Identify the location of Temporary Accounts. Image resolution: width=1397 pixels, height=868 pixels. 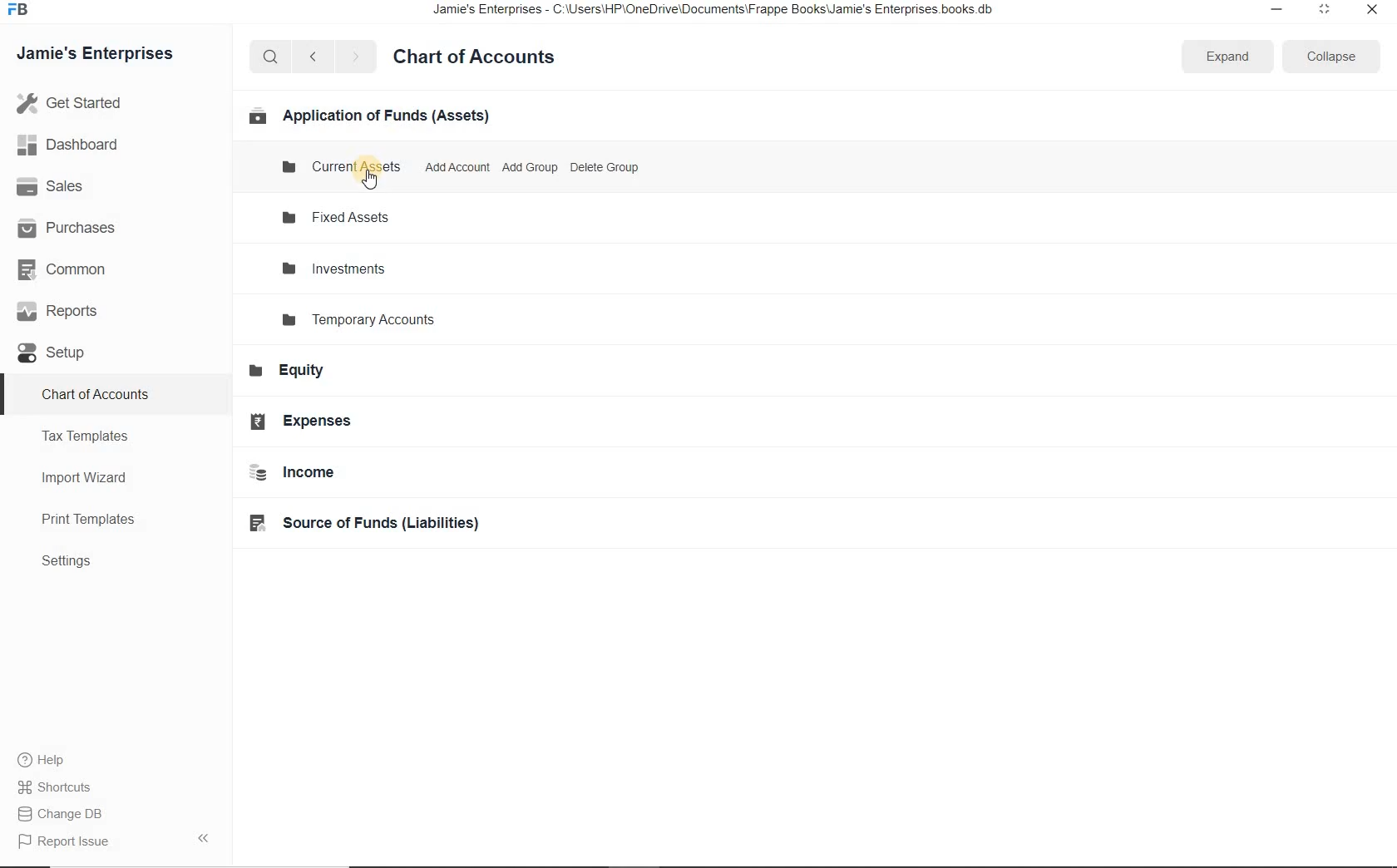
(364, 319).